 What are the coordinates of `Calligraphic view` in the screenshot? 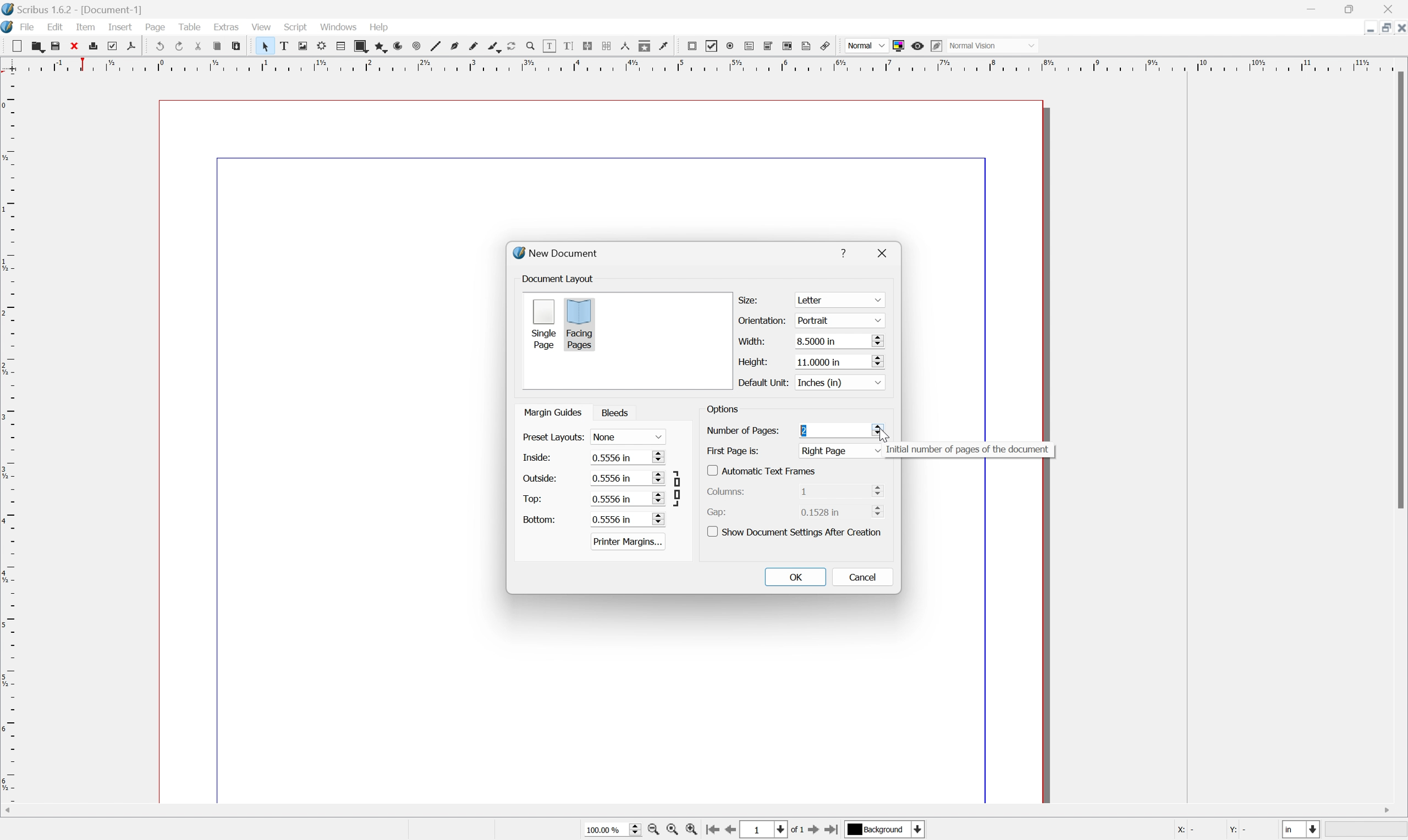 It's located at (491, 46).